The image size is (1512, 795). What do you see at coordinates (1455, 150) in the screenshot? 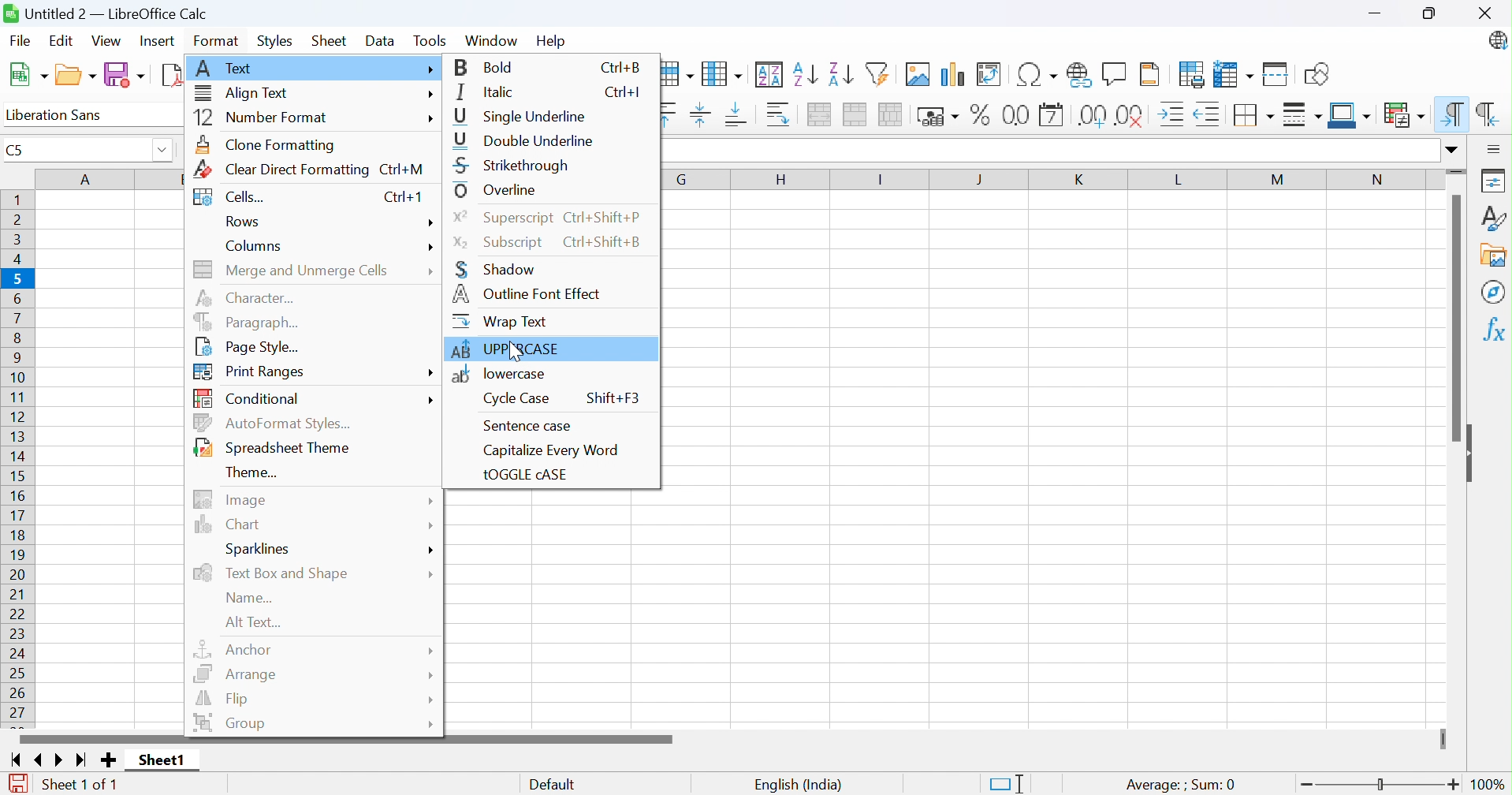
I see `Expand formula bar` at bounding box center [1455, 150].